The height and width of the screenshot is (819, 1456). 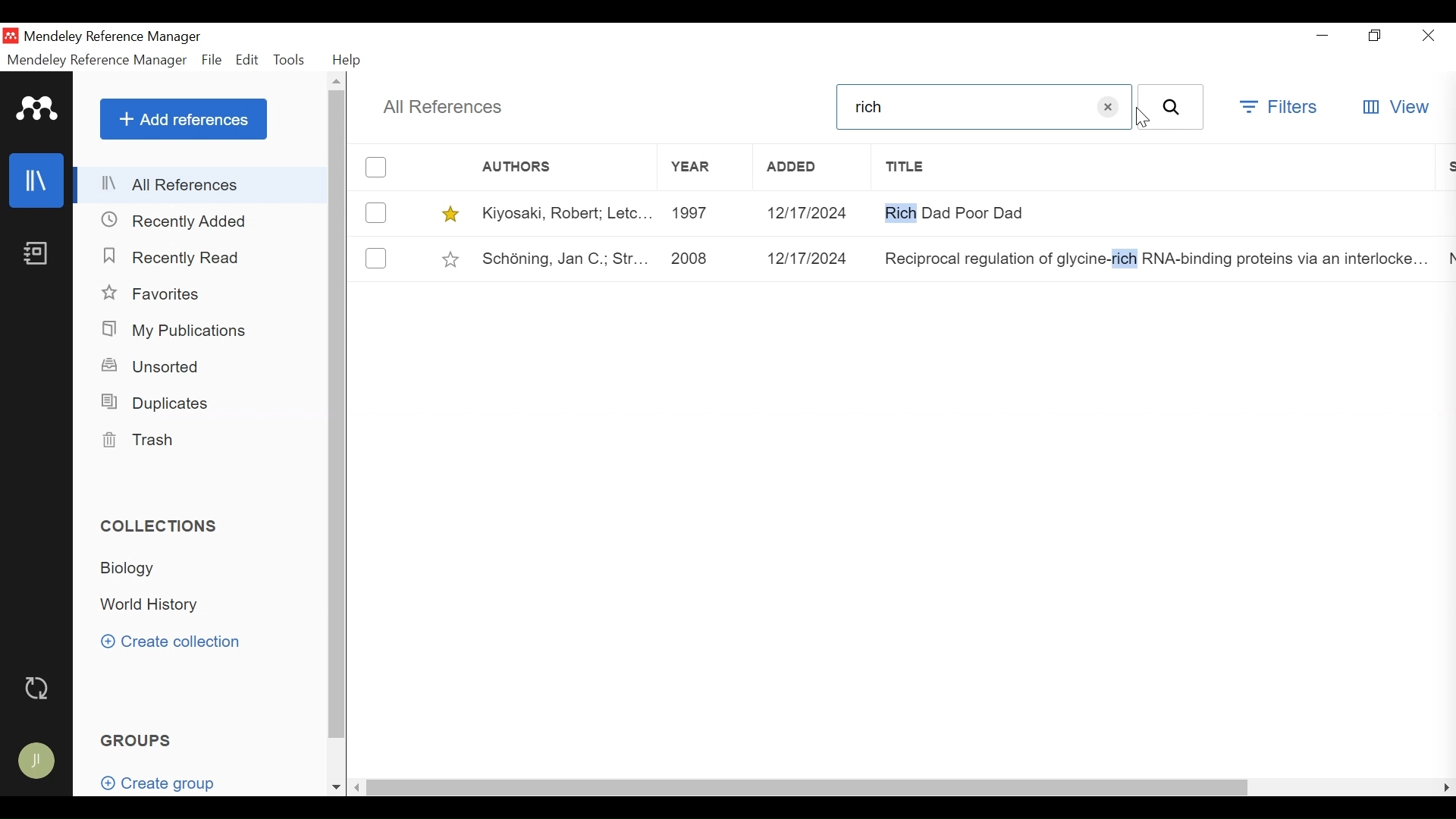 I want to click on Rich Dad Poor Dad, so click(x=1156, y=212).